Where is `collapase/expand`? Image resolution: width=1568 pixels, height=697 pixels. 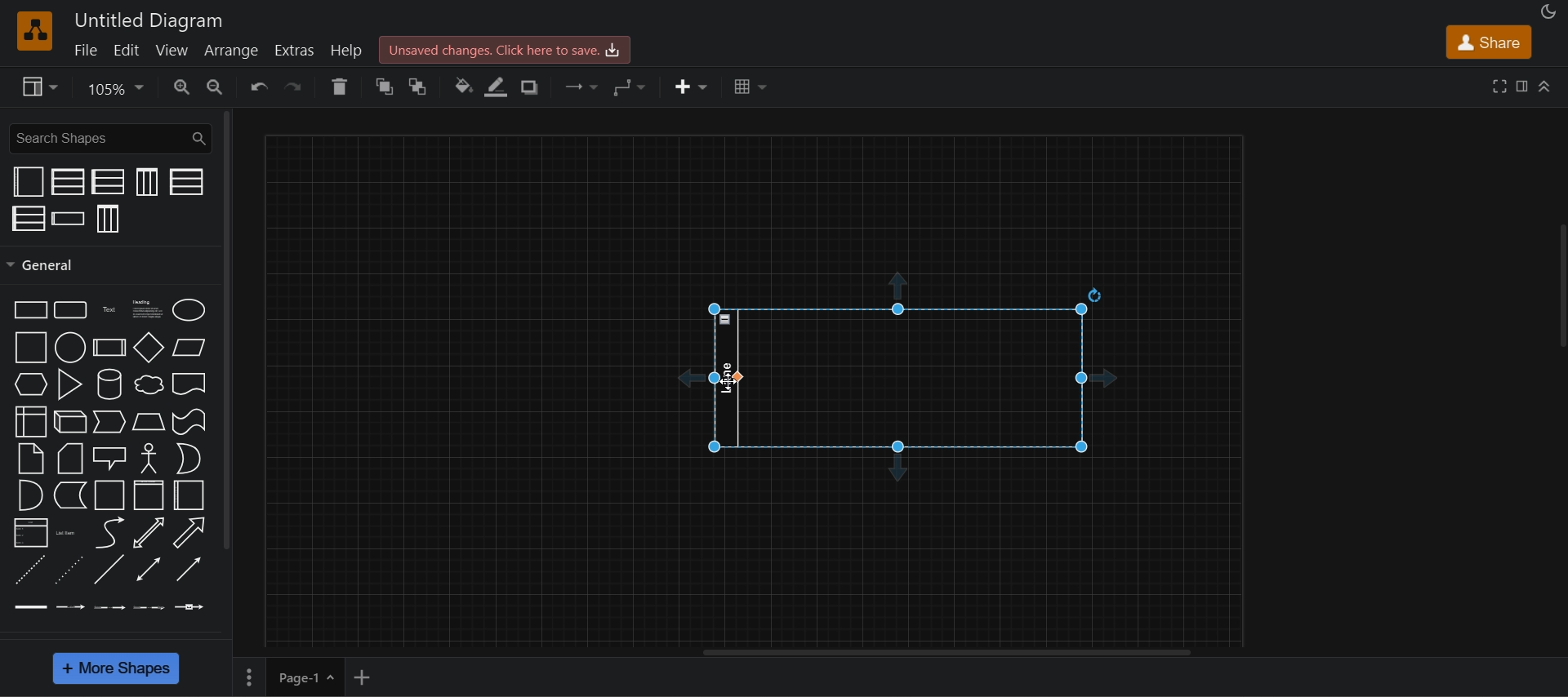 collapase/expand is located at coordinates (1549, 86).